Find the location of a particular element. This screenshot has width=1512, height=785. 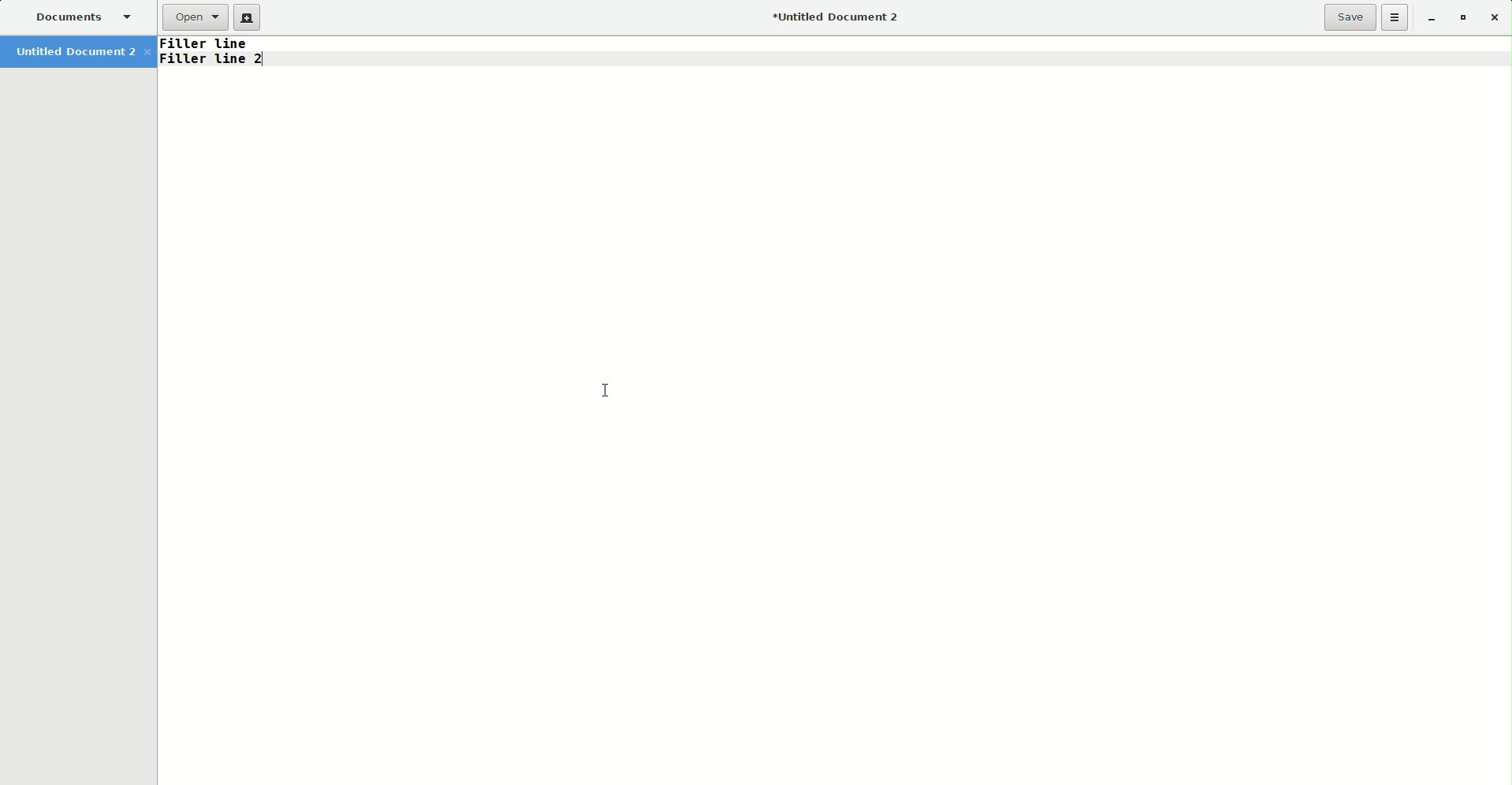

Documents is located at coordinates (79, 19).